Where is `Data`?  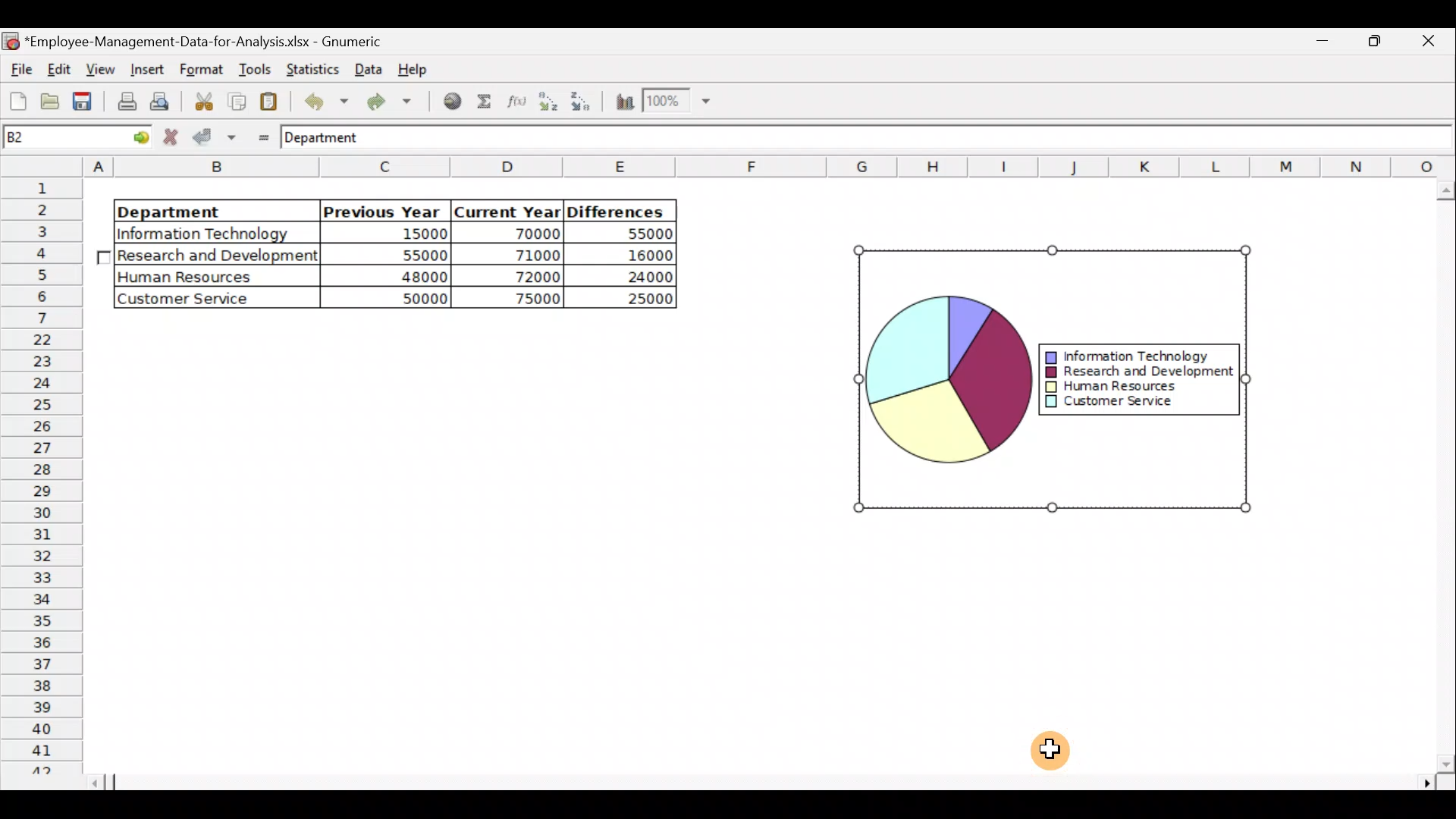 Data is located at coordinates (368, 67).